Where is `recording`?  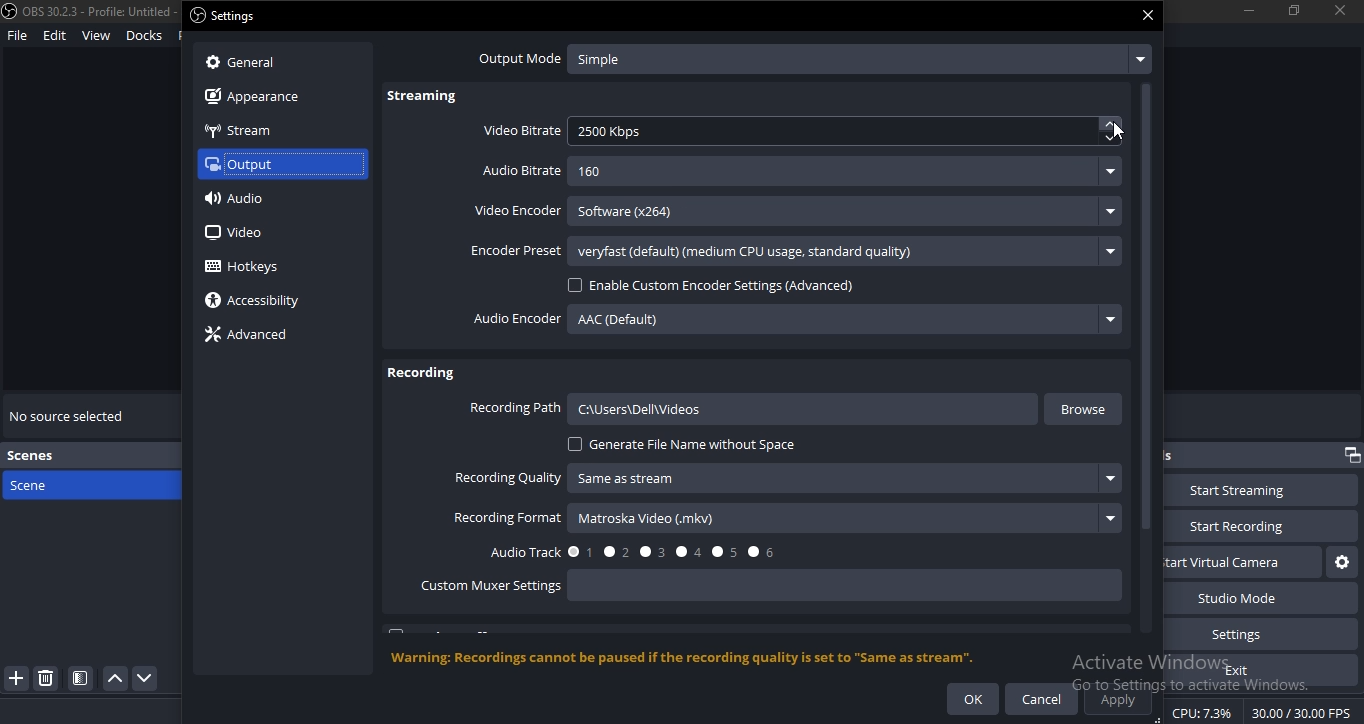
recording is located at coordinates (420, 370).